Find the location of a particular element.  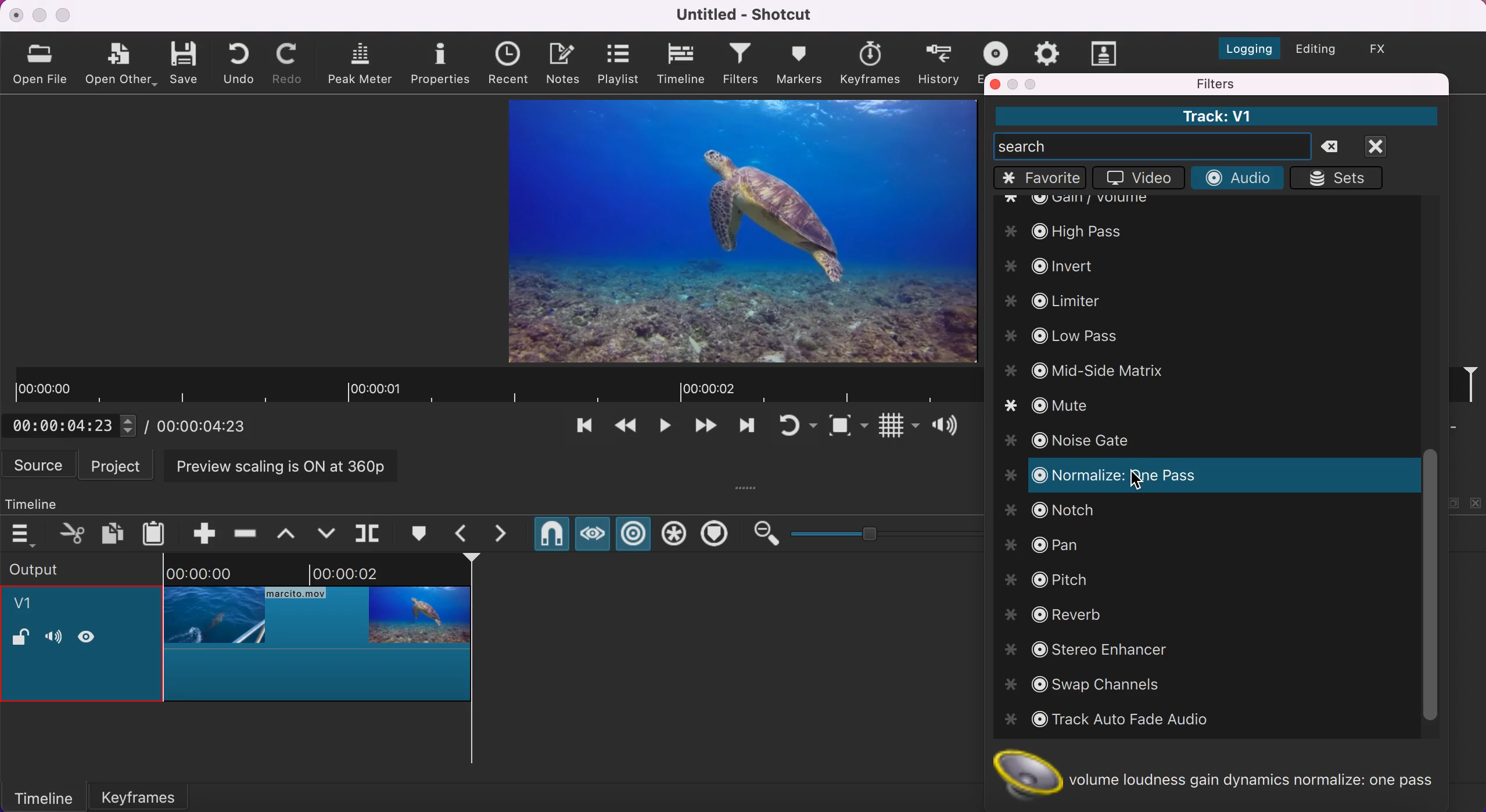

search bar is located at coordinates (1153, 146).